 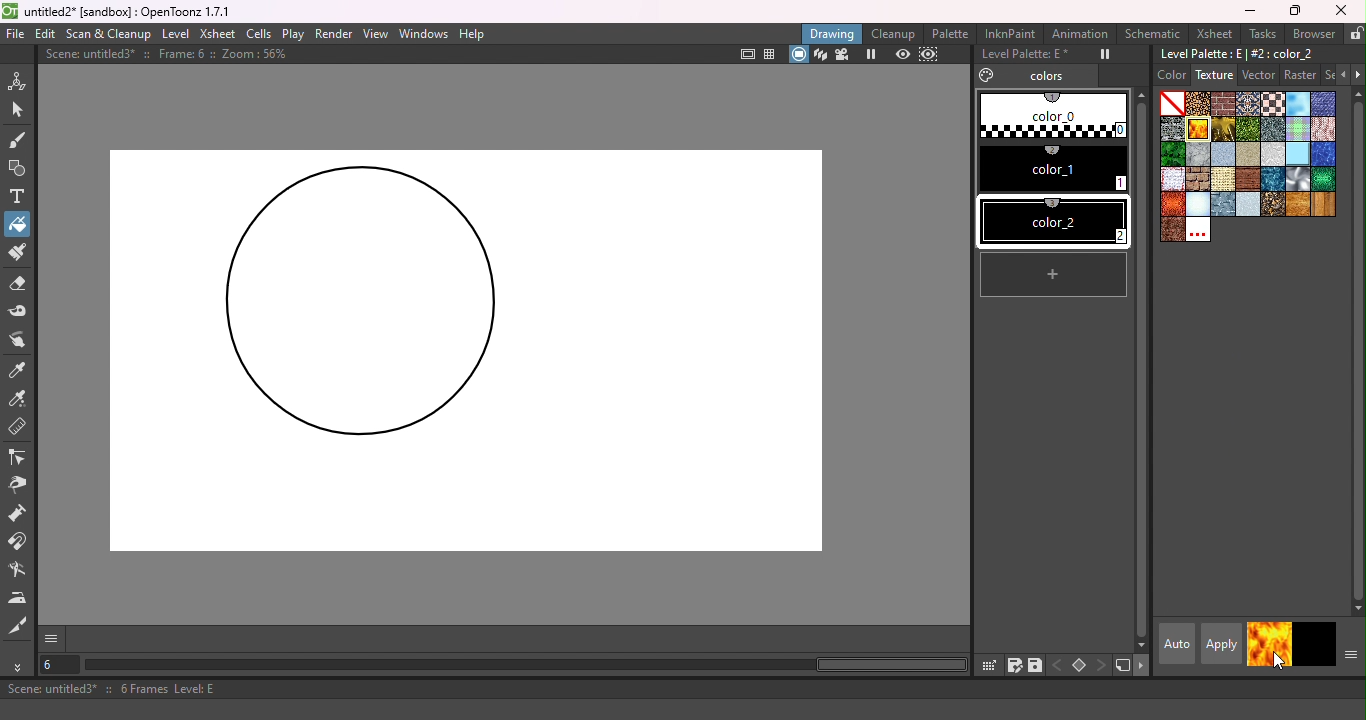 I want to click on Gold.bmp, so click(x=1224, y=129).